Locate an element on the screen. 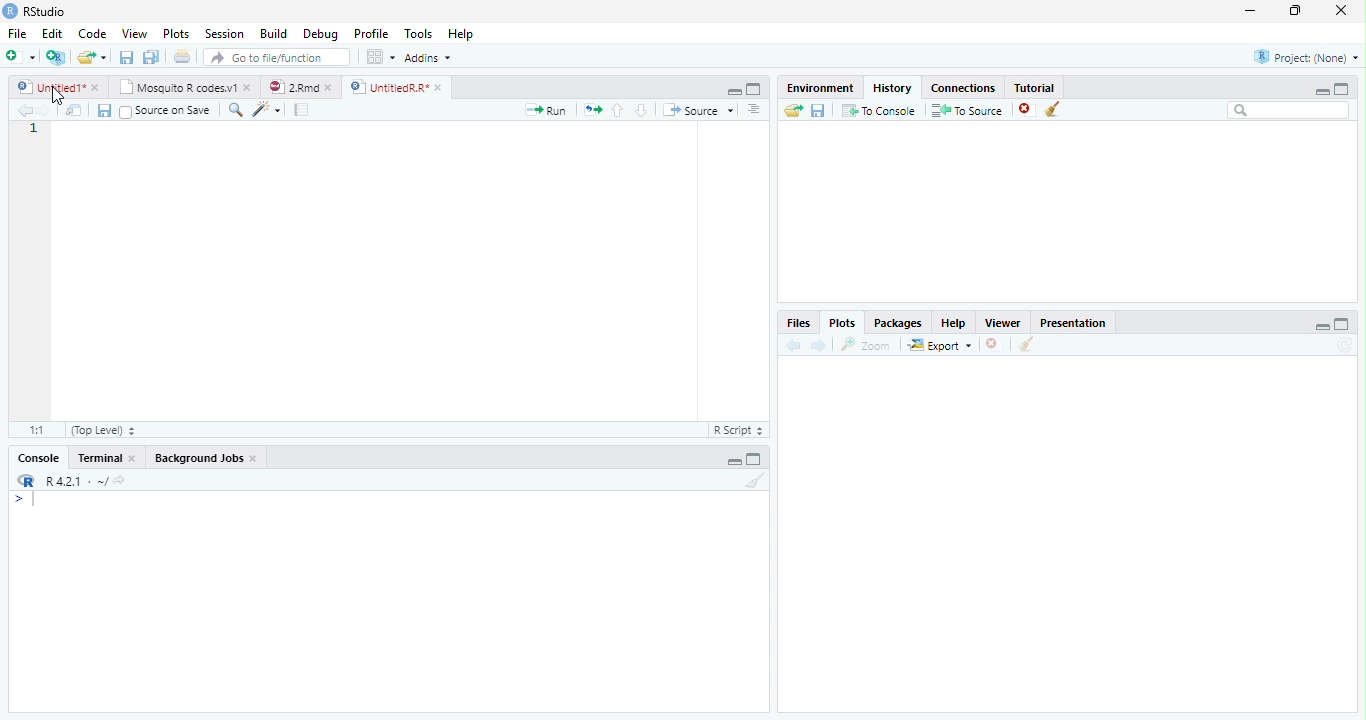 The width and height of the screenshot is (1366, 720). Clear all plots is located at coordinates (1026, 344).